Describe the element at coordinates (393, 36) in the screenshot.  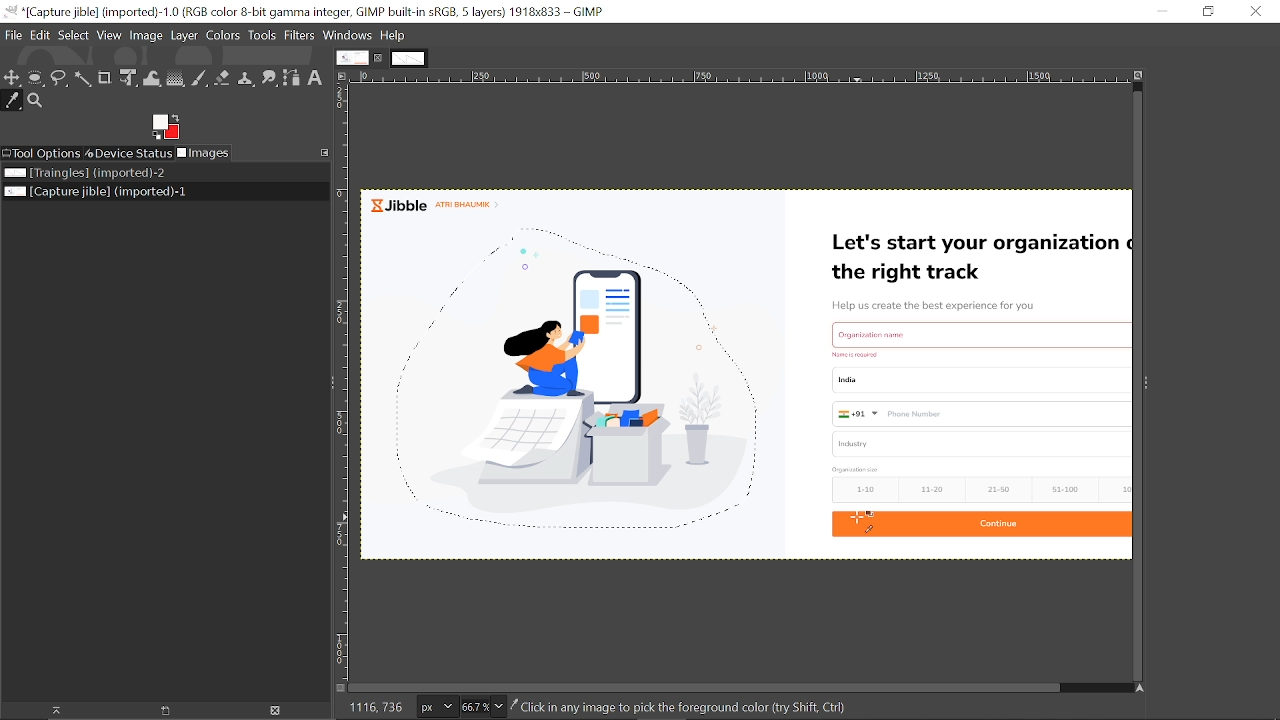
I see `Help` at that location.